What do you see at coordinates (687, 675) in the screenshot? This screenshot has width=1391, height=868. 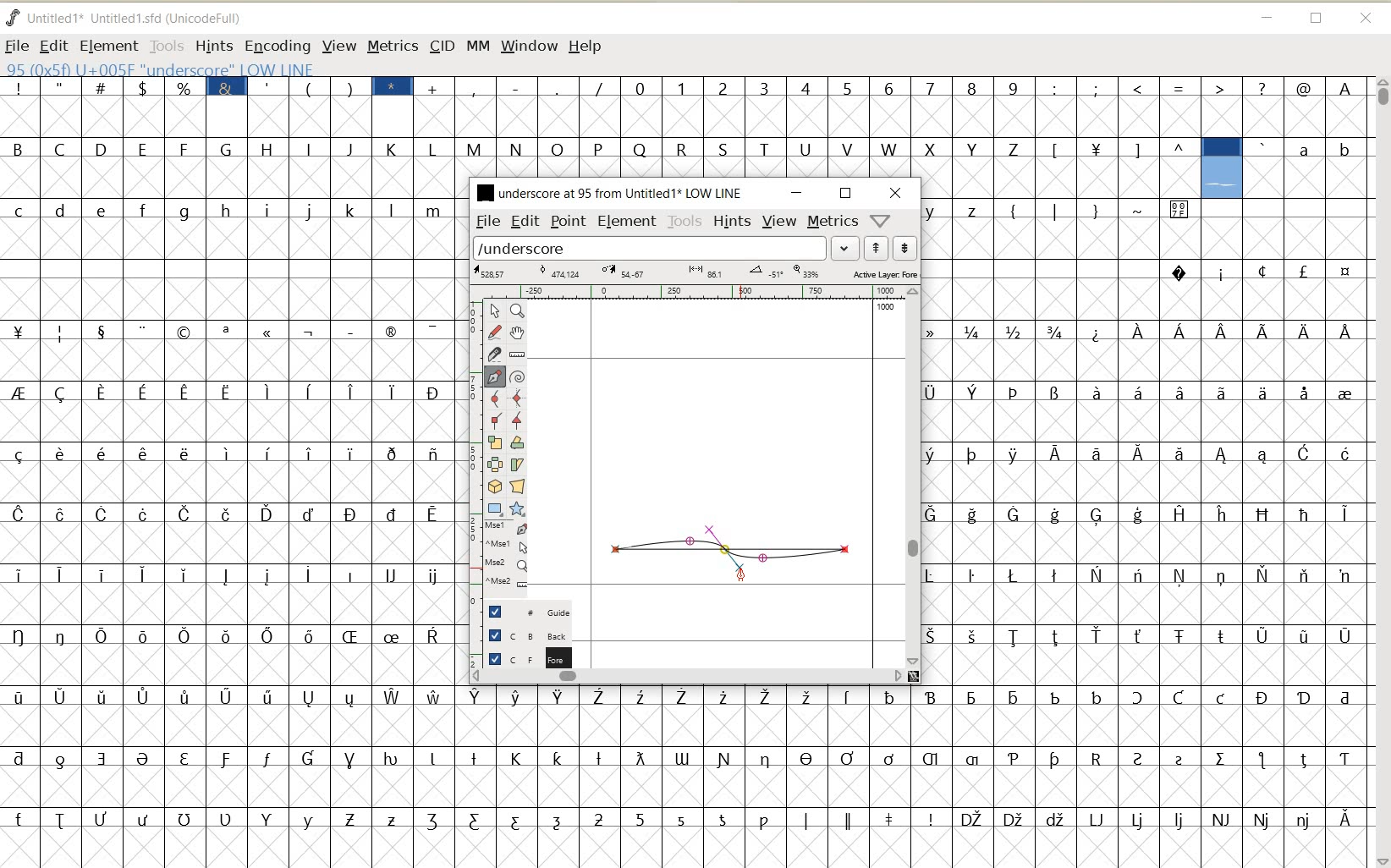 I see `SCROLLBAR` at bounding box center [687, 675].